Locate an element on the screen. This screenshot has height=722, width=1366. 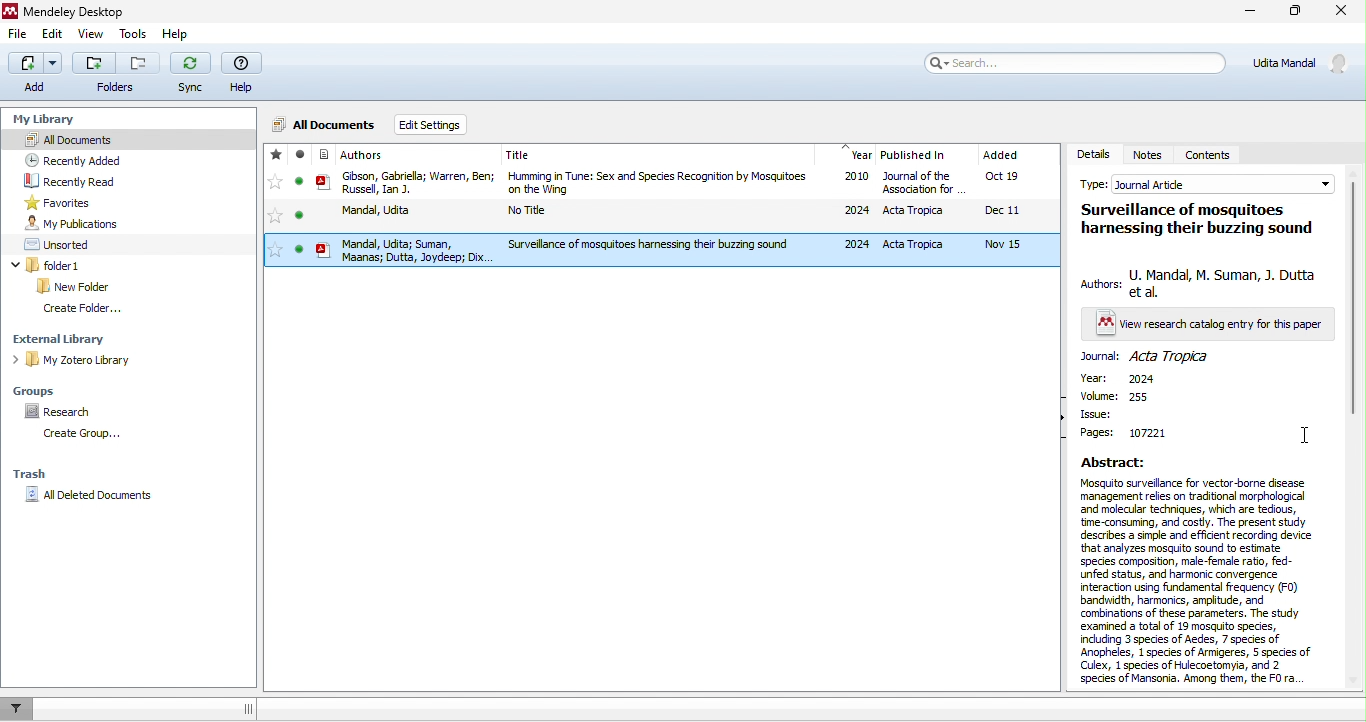
issue is located at coordinates (1127, 414).